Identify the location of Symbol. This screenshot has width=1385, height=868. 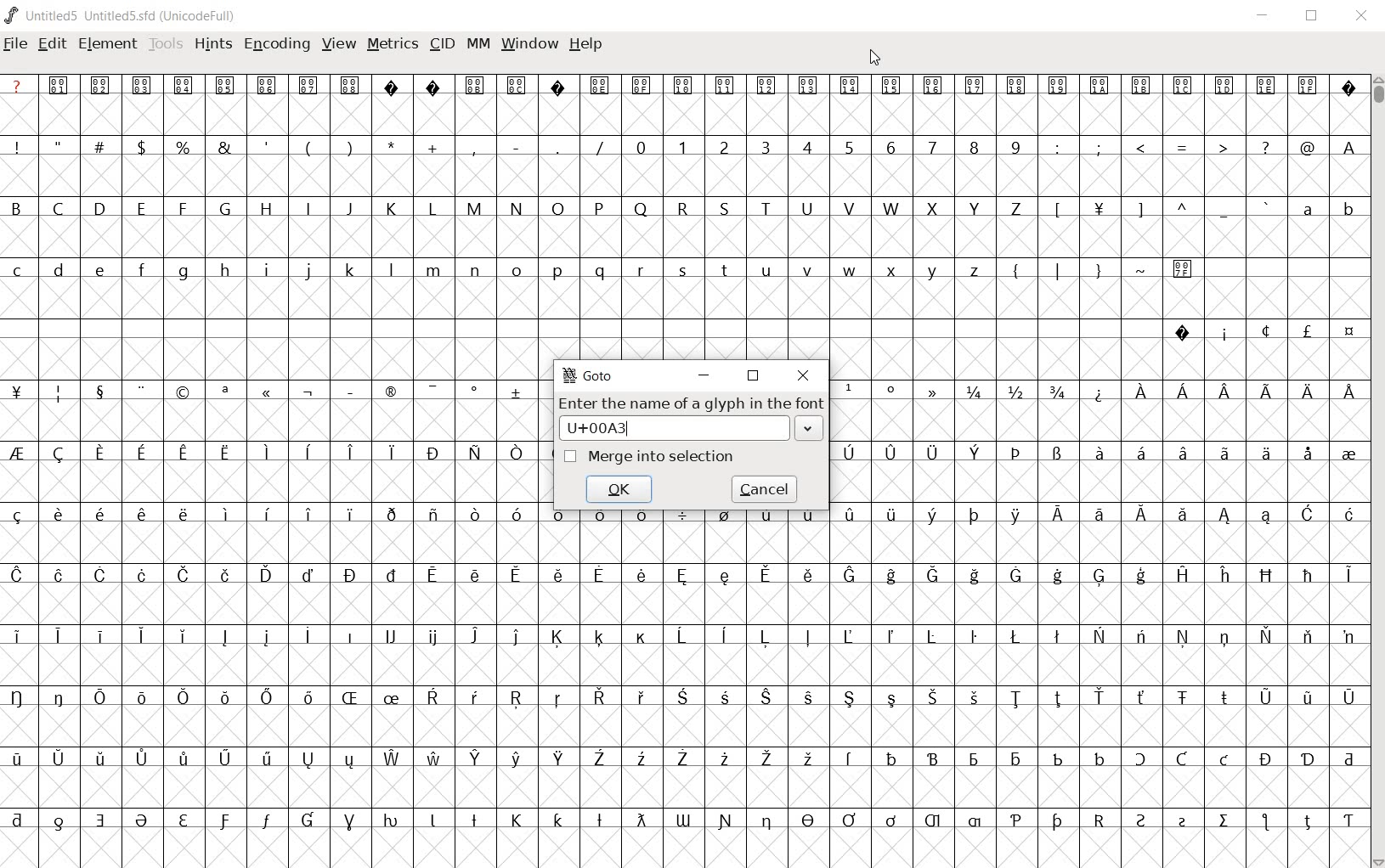
(184, 392).